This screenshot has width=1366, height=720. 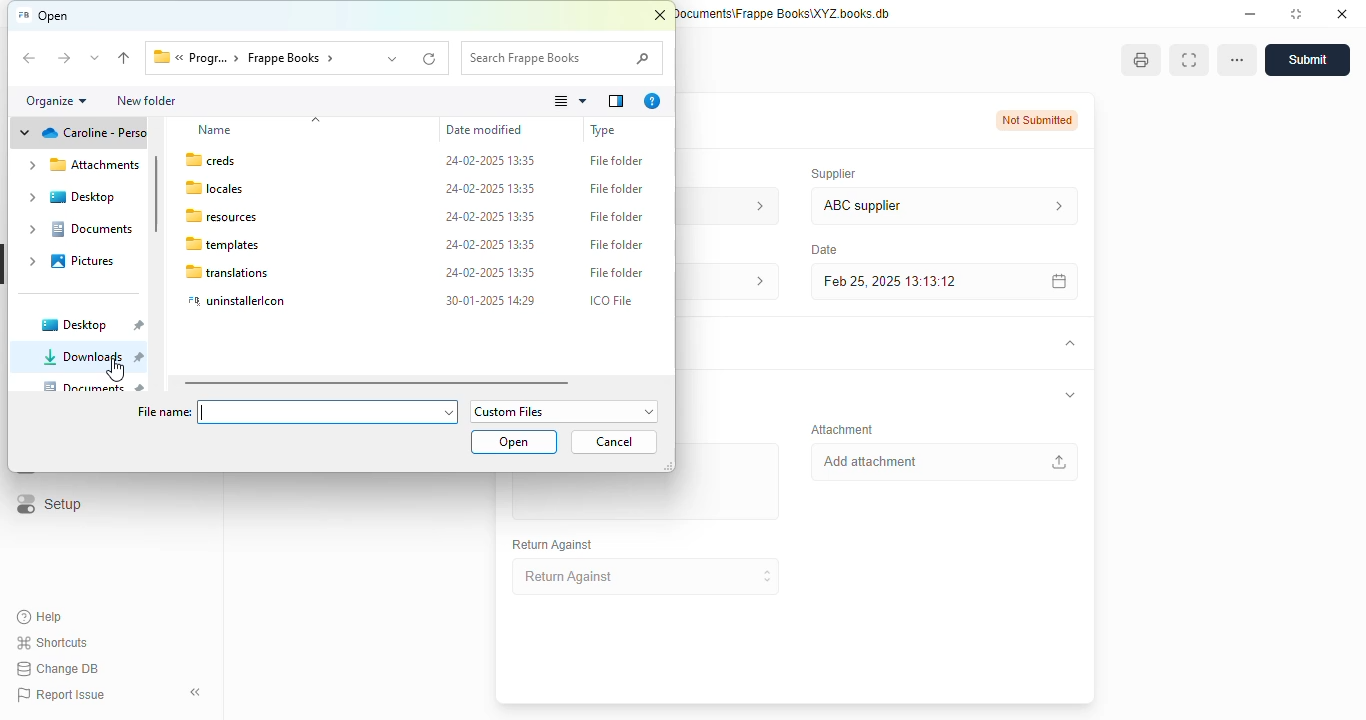 I want to click on add invoice items, so click(x=644, y=497).